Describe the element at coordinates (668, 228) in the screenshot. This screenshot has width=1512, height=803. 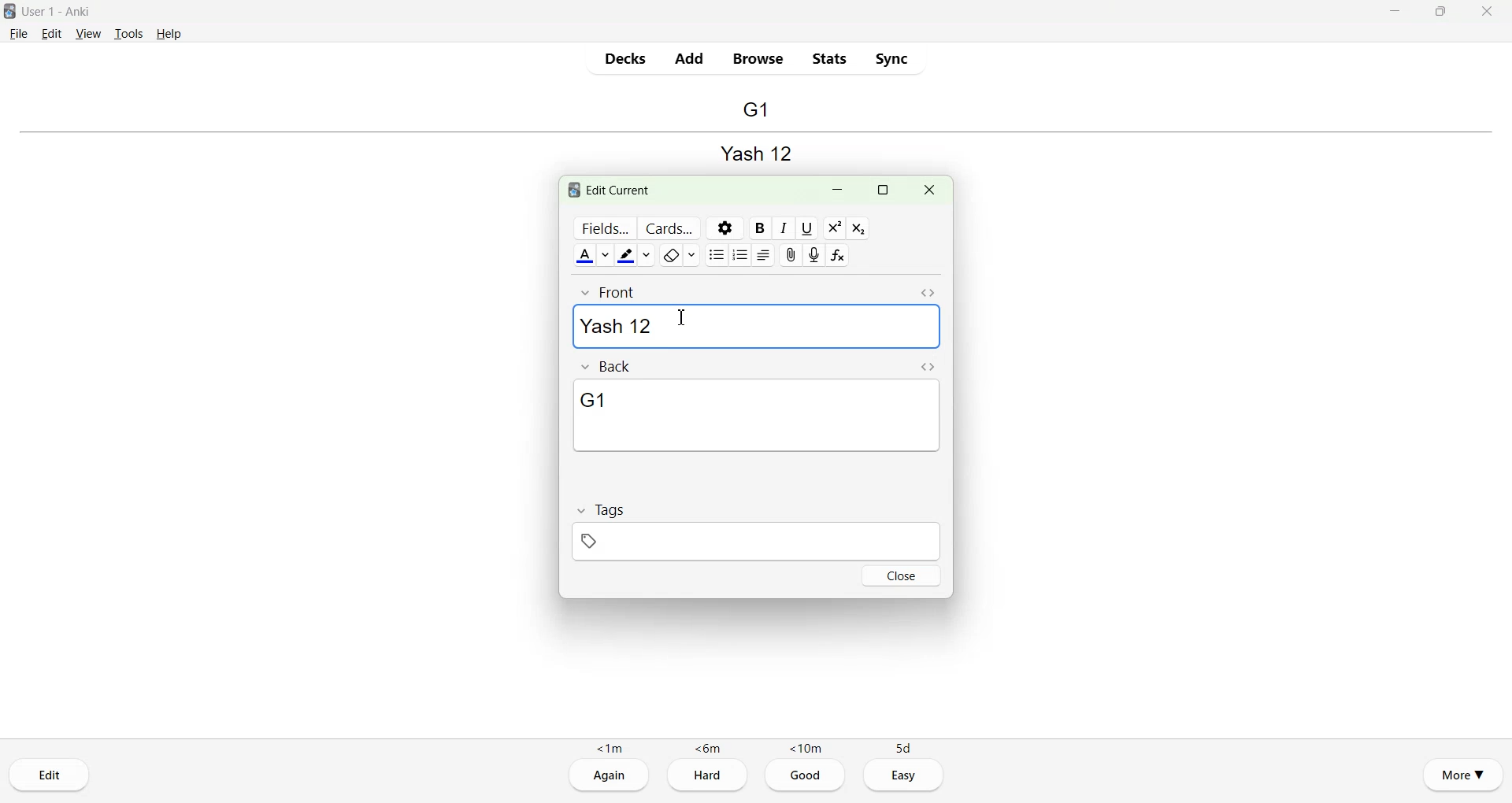
I see `Customize Card templates` at that location.